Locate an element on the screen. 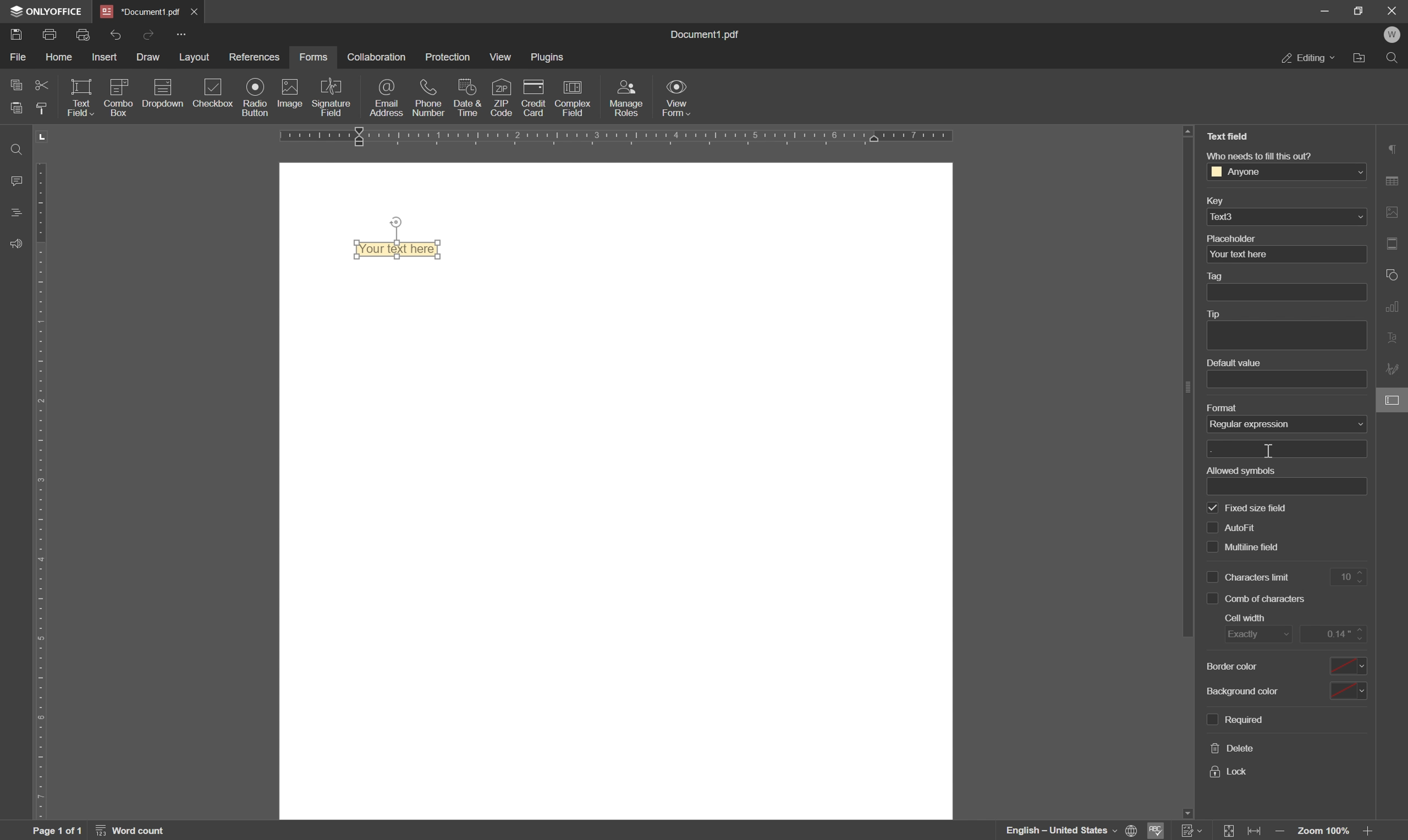  editing is located at coordinates (1308, 59).